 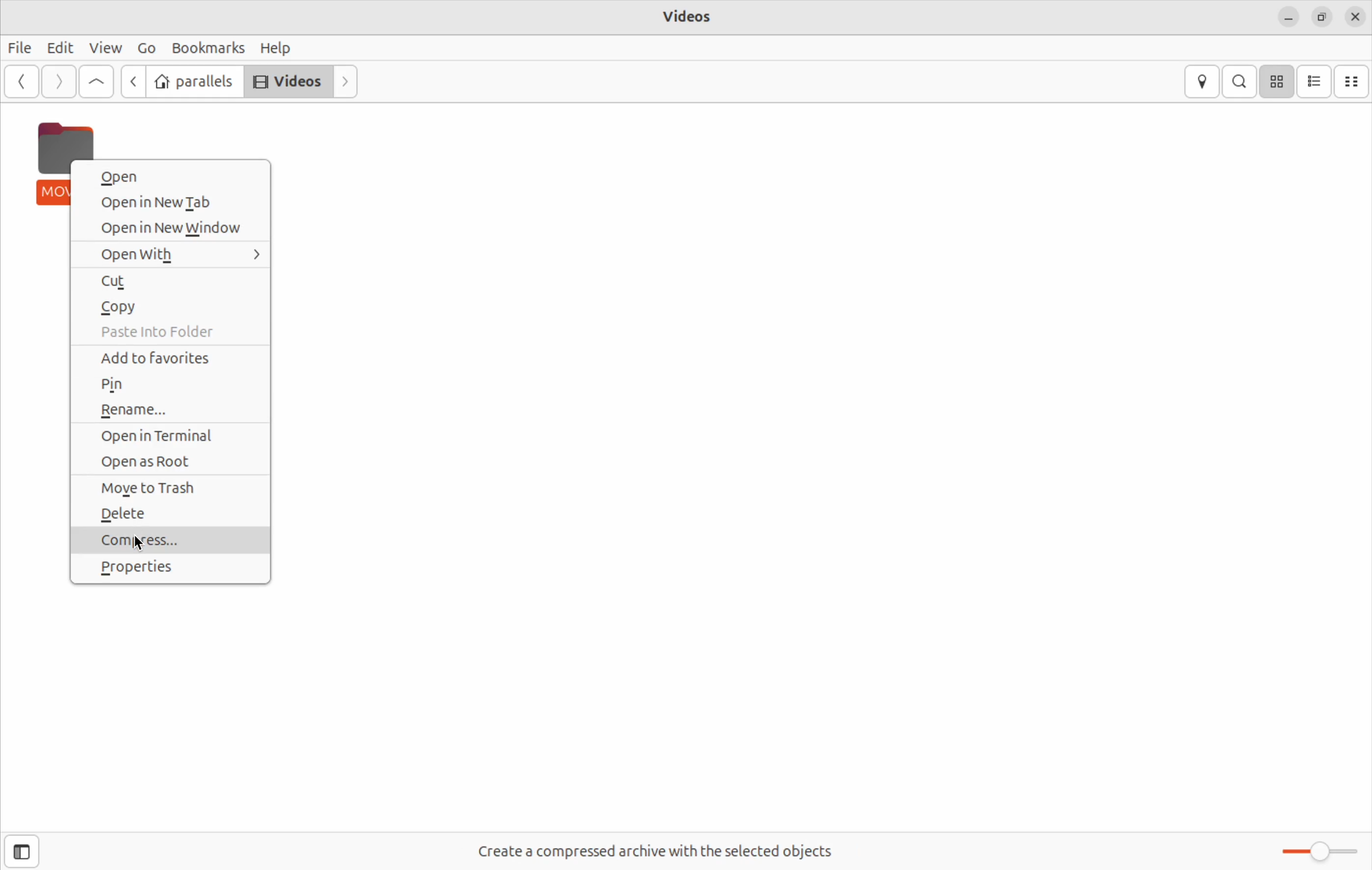 I want to click on copy, so click(x=172, y=304).